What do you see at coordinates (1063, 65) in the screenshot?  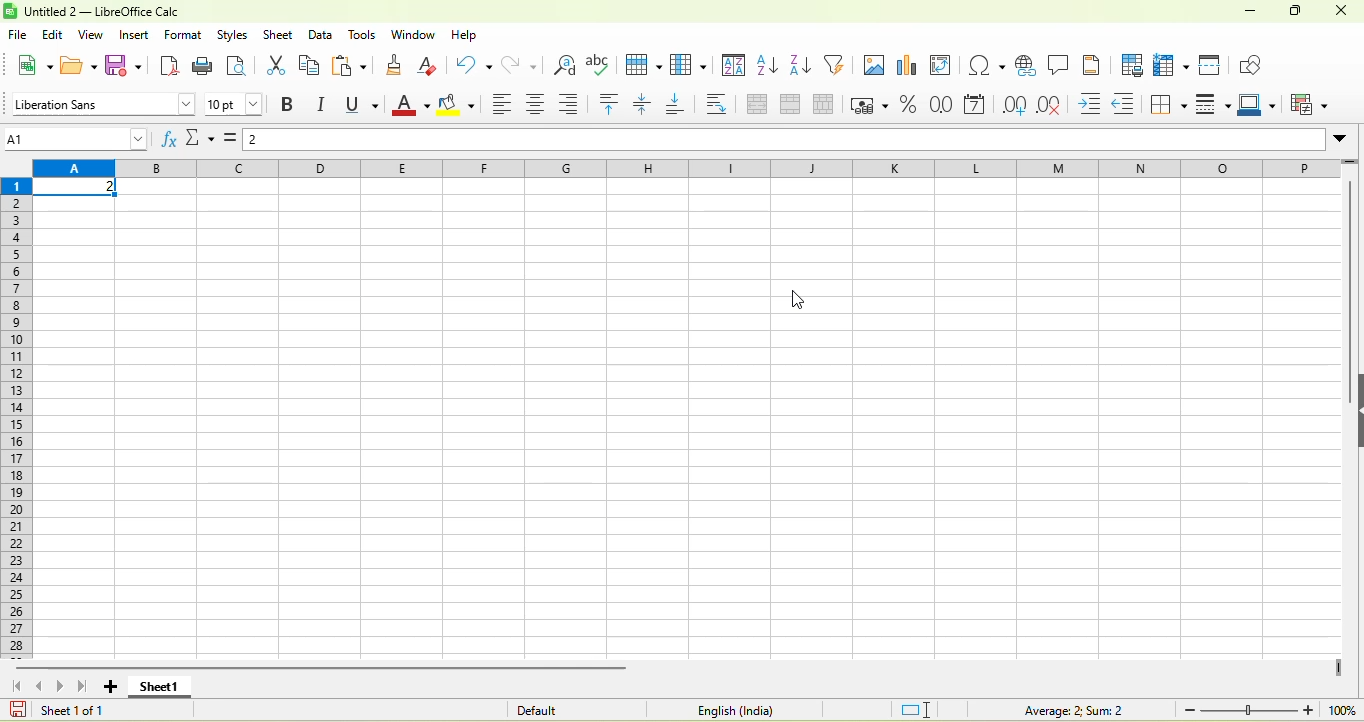 I see `comment` at bounding box center [1063, 65].